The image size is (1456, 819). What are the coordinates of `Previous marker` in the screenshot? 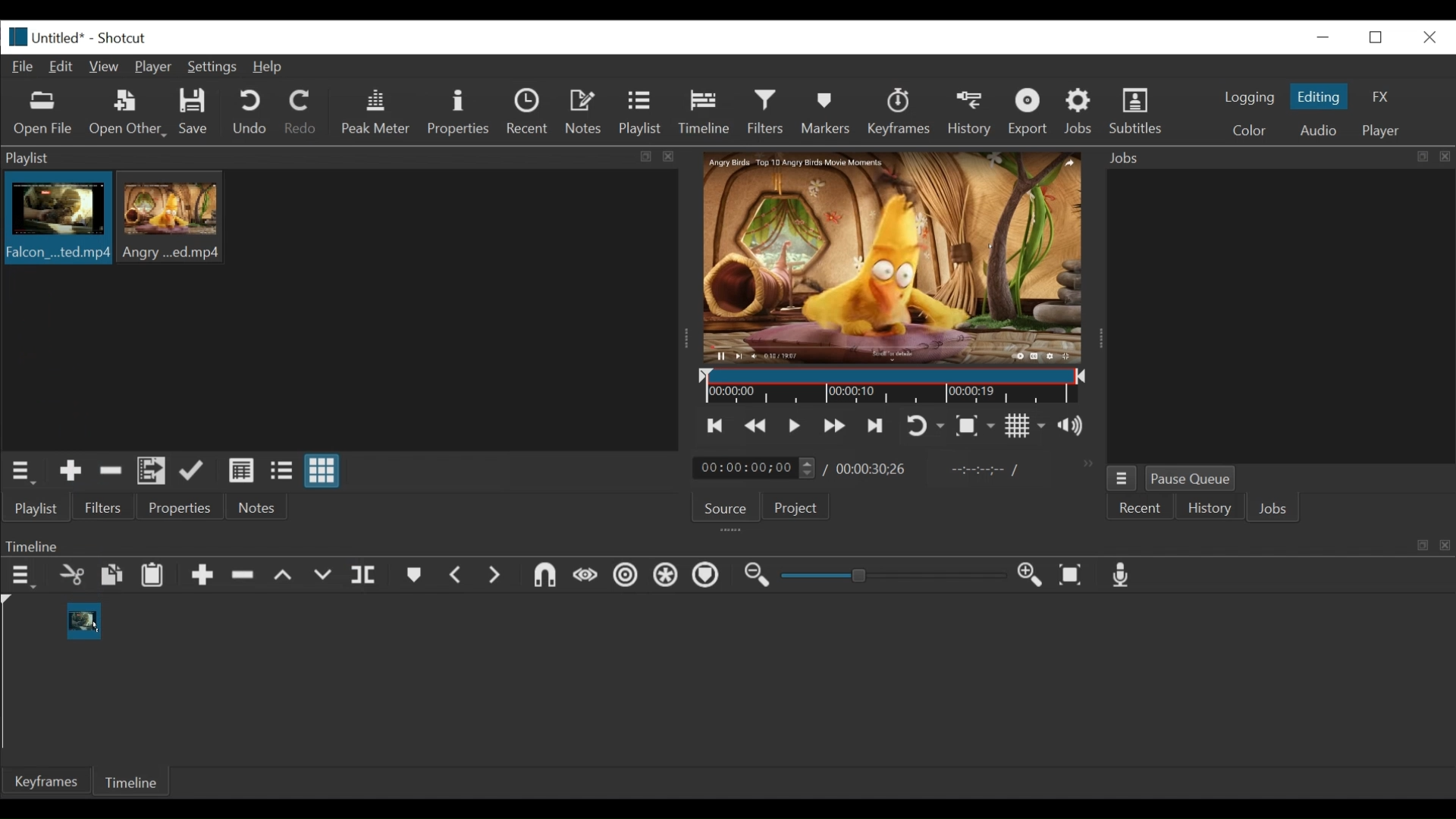 It's located at (457, 578).